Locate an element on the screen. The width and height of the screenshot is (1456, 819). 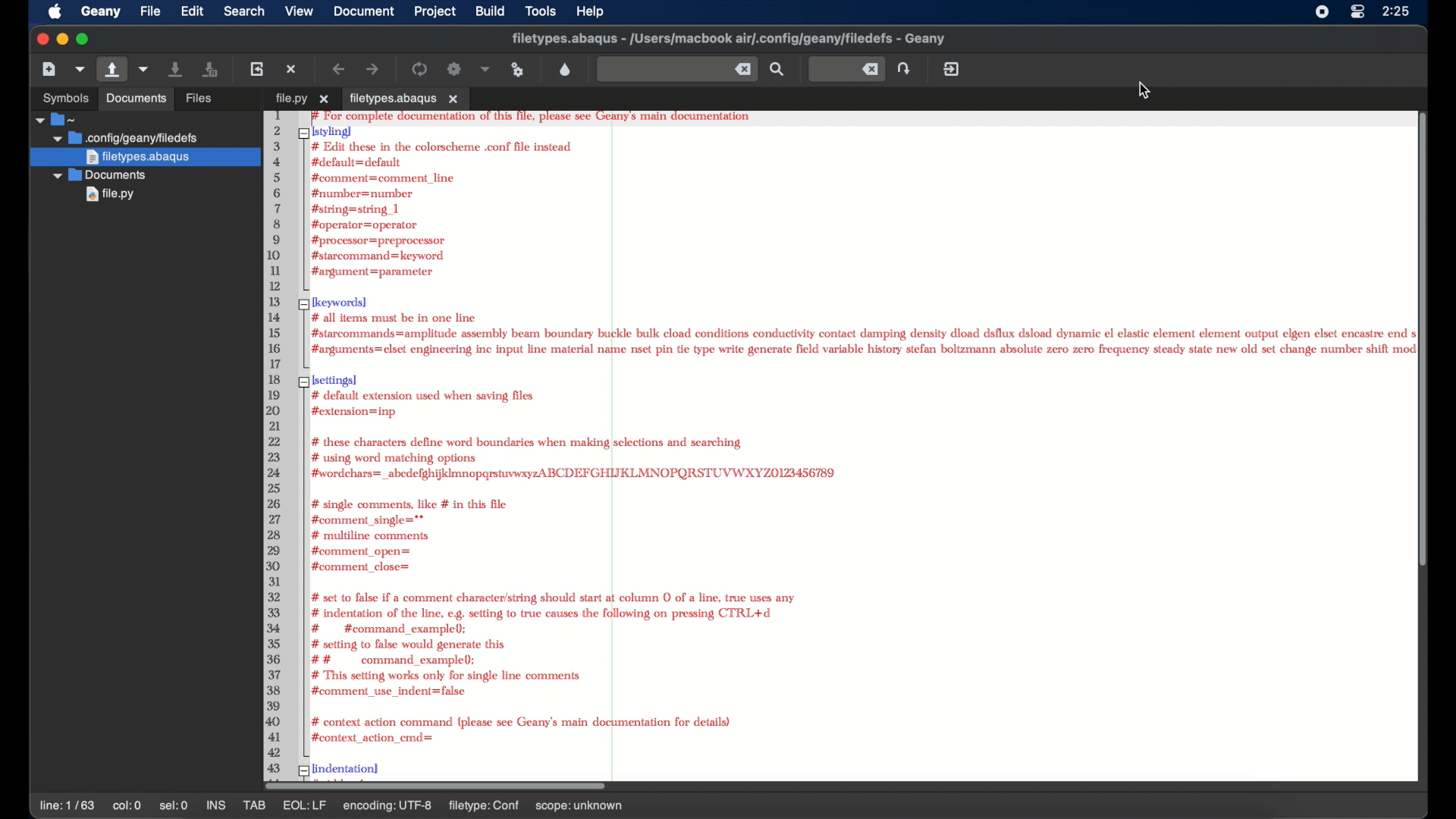
search is located at coordinates (244, 11).